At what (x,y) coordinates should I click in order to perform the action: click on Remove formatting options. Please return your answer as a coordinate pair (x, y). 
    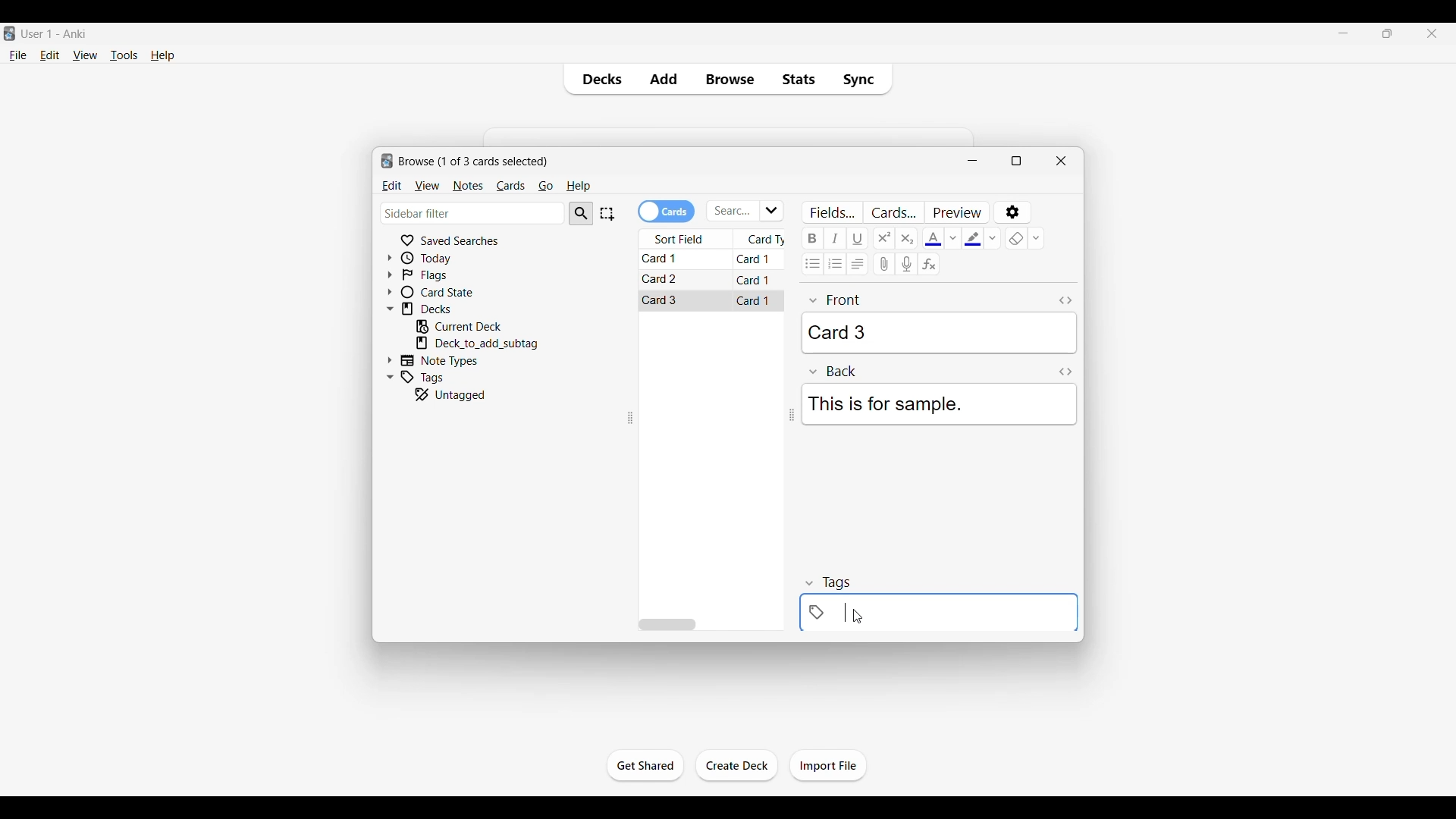
    Looking at the image, I should click on (1036, 238).